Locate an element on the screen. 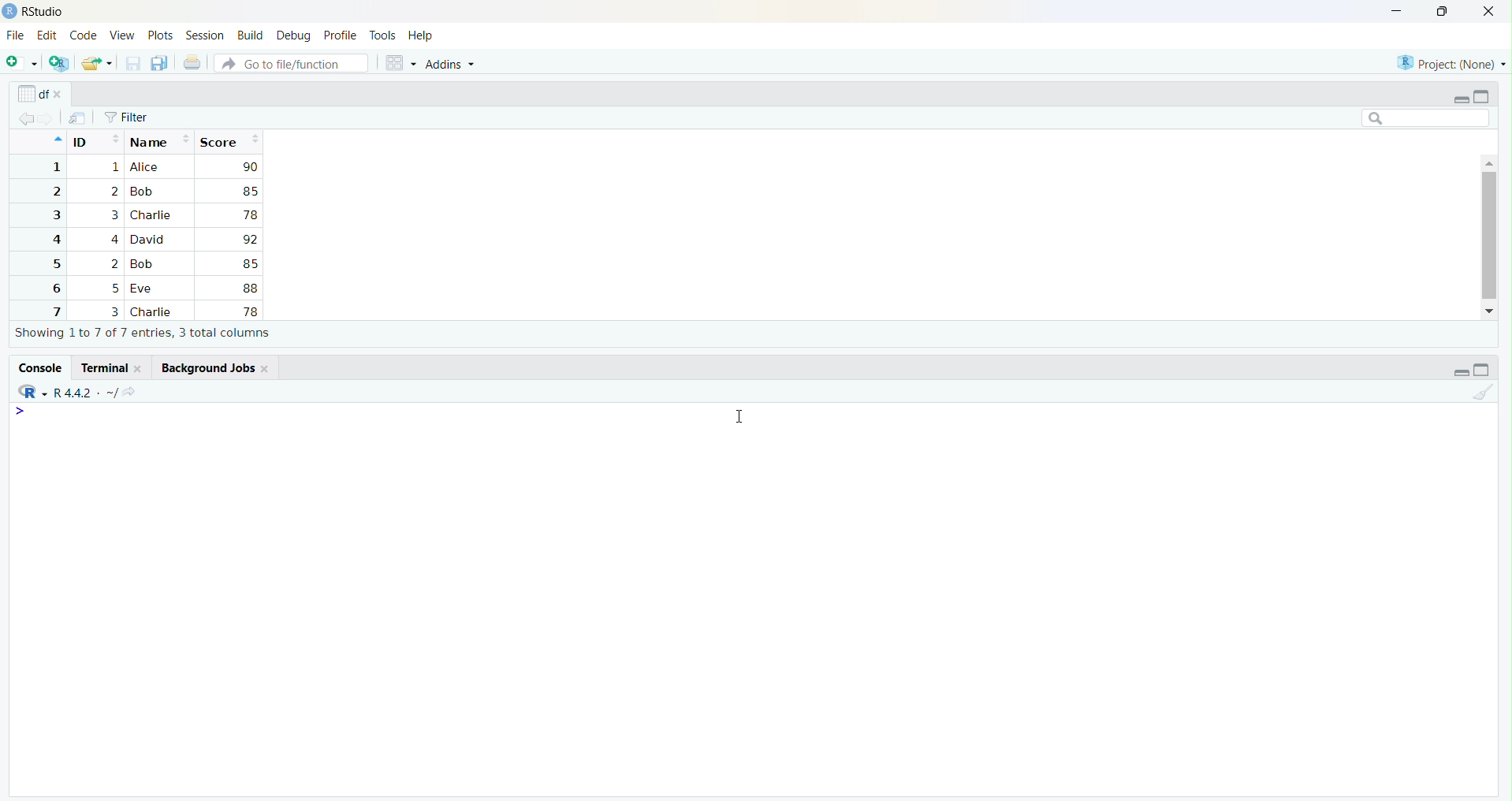 Image resolution: width=1512 pixels, height=801 pixels. View is located at coordinates (122, 37).